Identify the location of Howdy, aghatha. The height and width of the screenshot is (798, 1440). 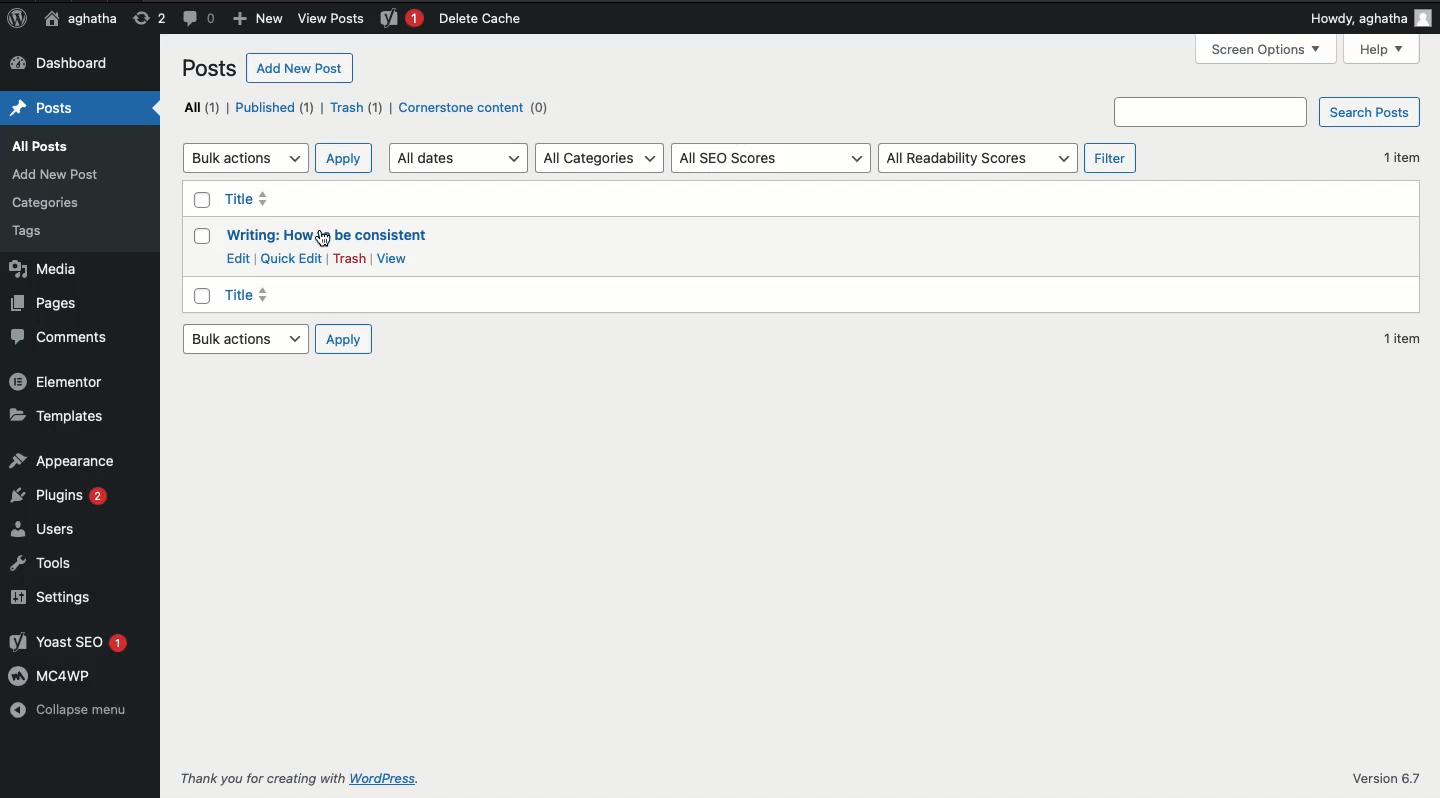
(1367, 18).